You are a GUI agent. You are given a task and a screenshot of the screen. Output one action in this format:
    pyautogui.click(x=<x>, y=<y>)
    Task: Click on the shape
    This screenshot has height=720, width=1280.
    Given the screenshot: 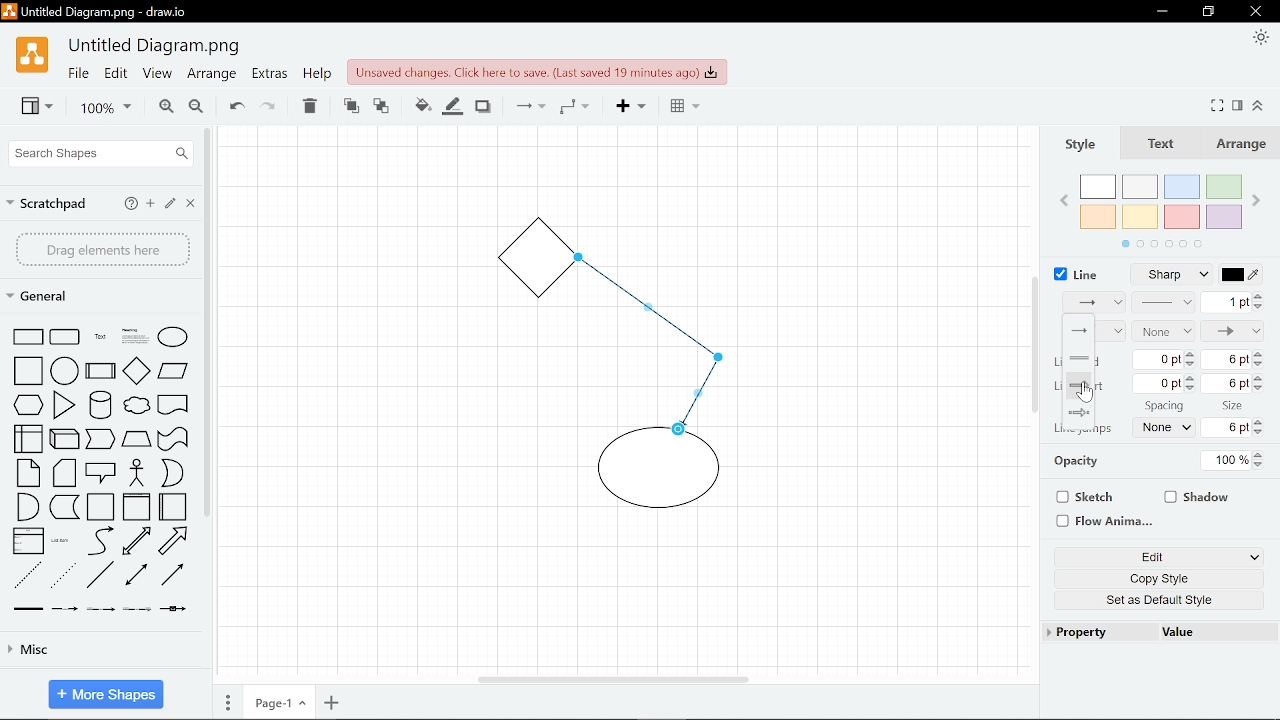 What is the action you would take?
    pyautogui.click(x=27, y=575)
    